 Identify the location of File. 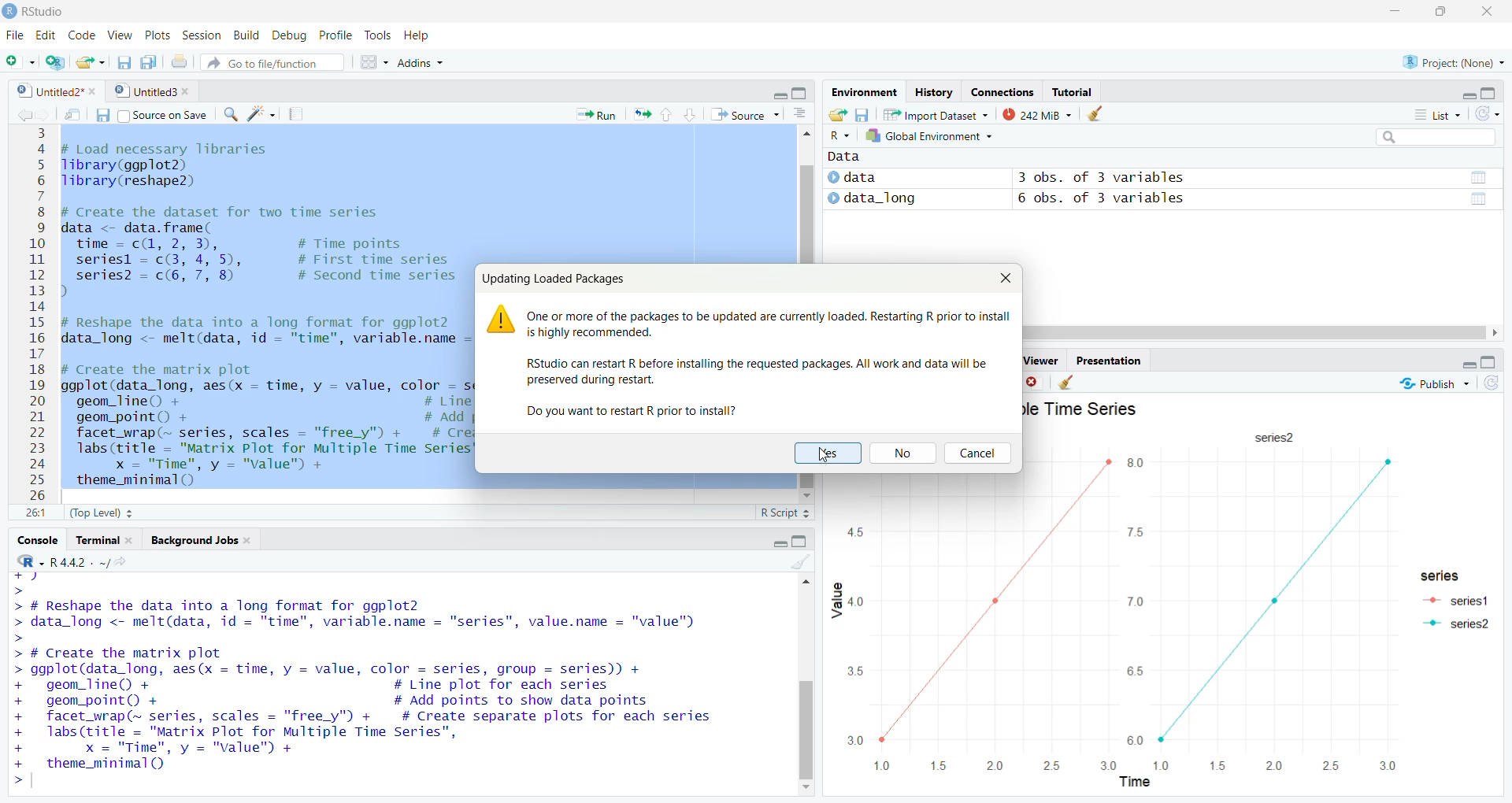
(17, 36).